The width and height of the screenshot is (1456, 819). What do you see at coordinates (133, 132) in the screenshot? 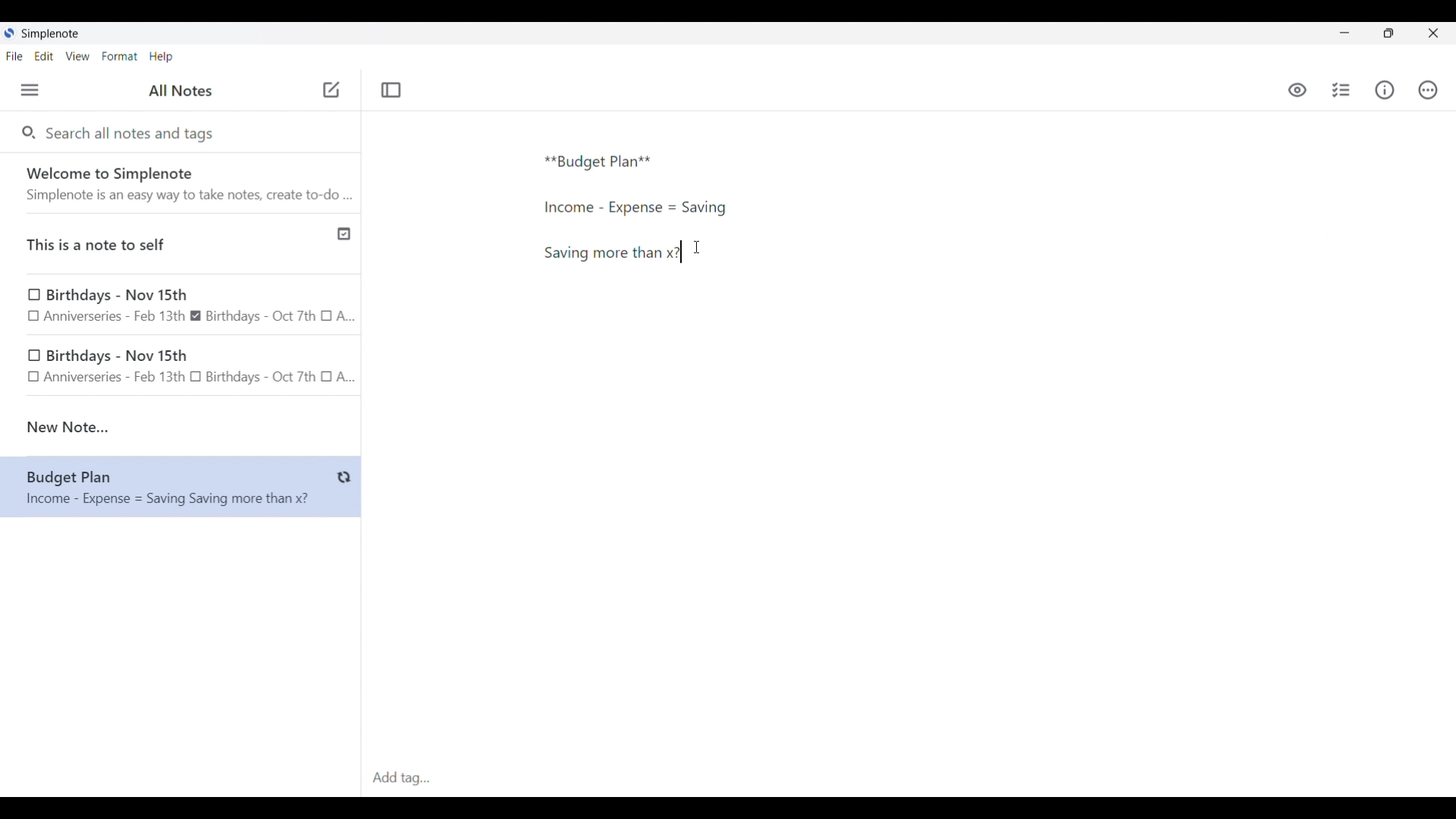
I see `Search all notes and tags` at bounding box center [133, 132].